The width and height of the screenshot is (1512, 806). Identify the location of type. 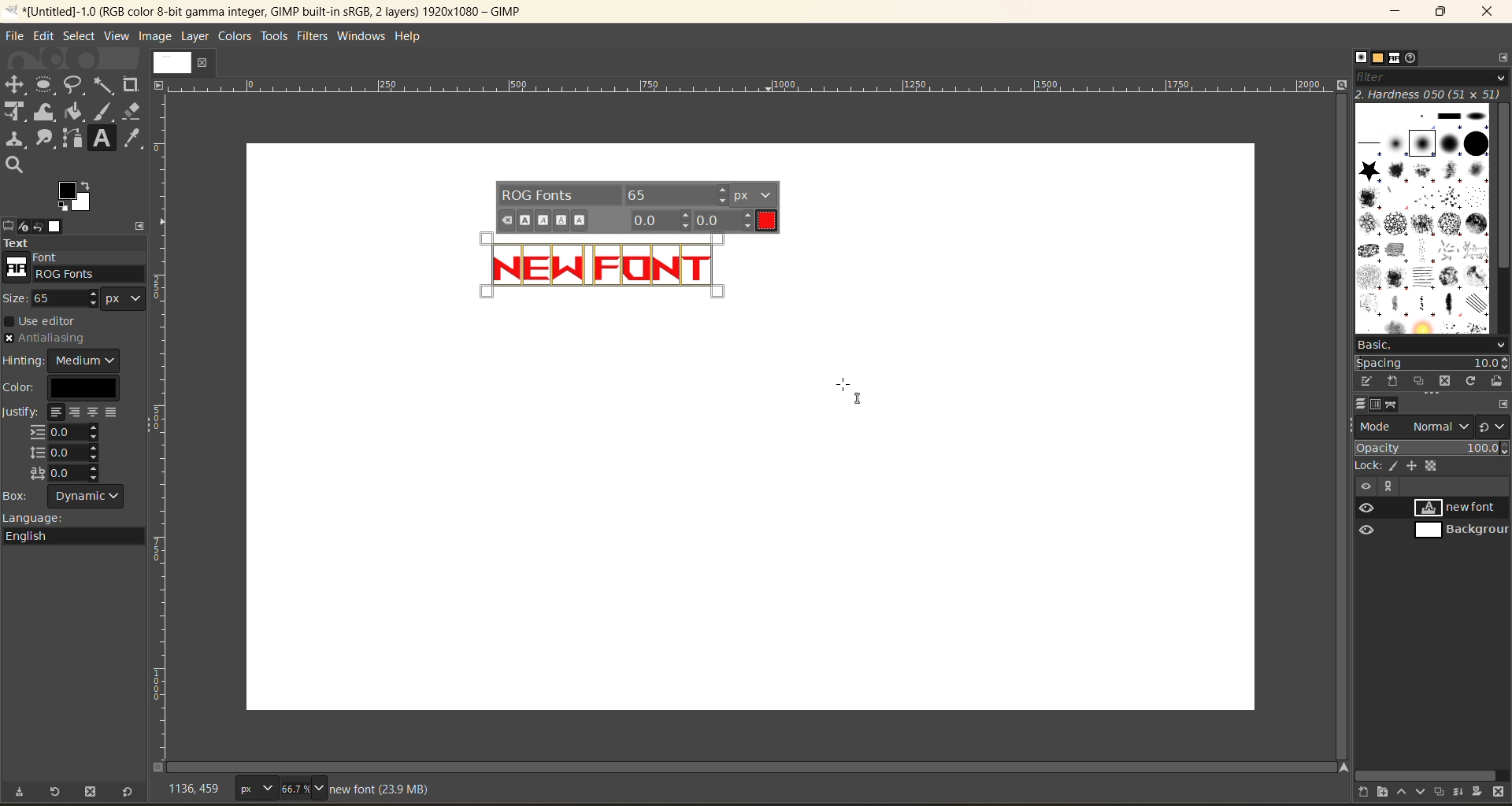
(255, 787).